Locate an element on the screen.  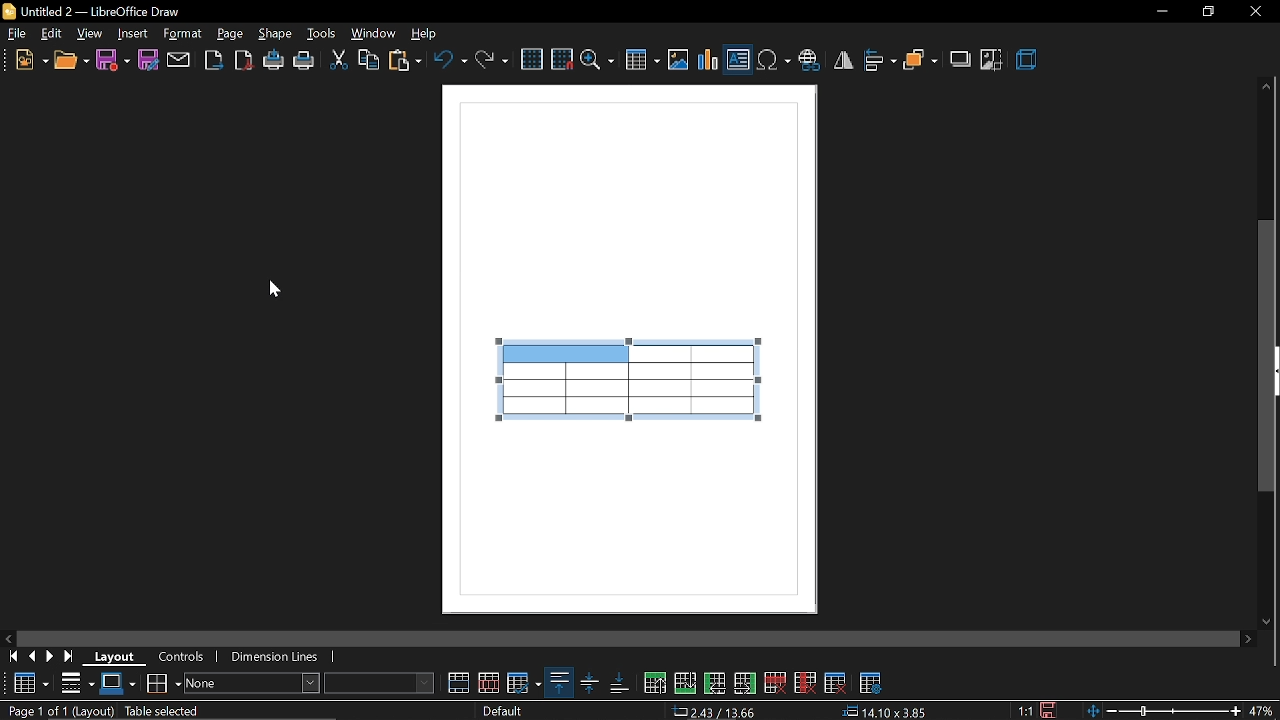
export as pdf is located at coordinates (241, 60).